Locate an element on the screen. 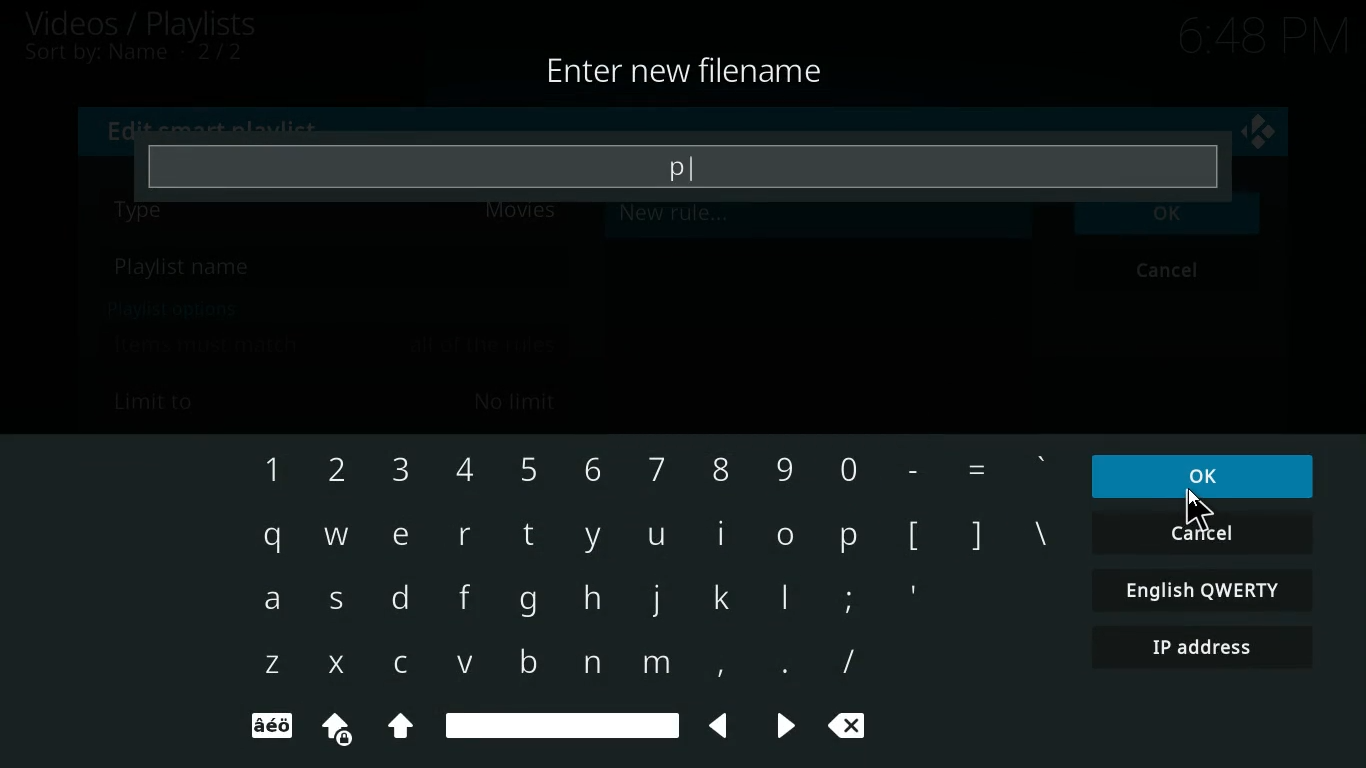 Image resolution: width=1366 pixels, height=768 pixels. S is located at coordinates (341, 604).